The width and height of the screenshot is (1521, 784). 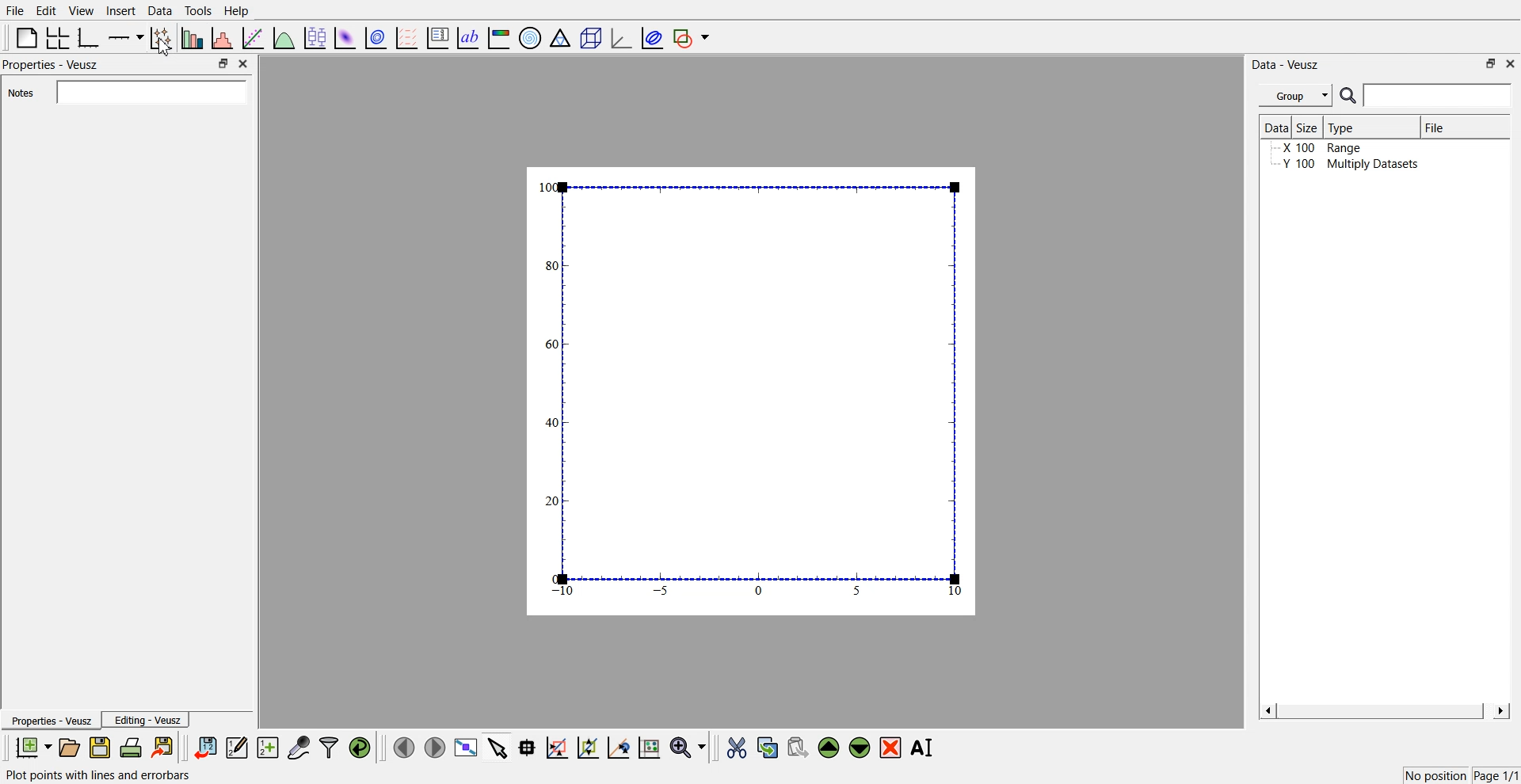 I want to click on Notes, so click(x=26, y=93).